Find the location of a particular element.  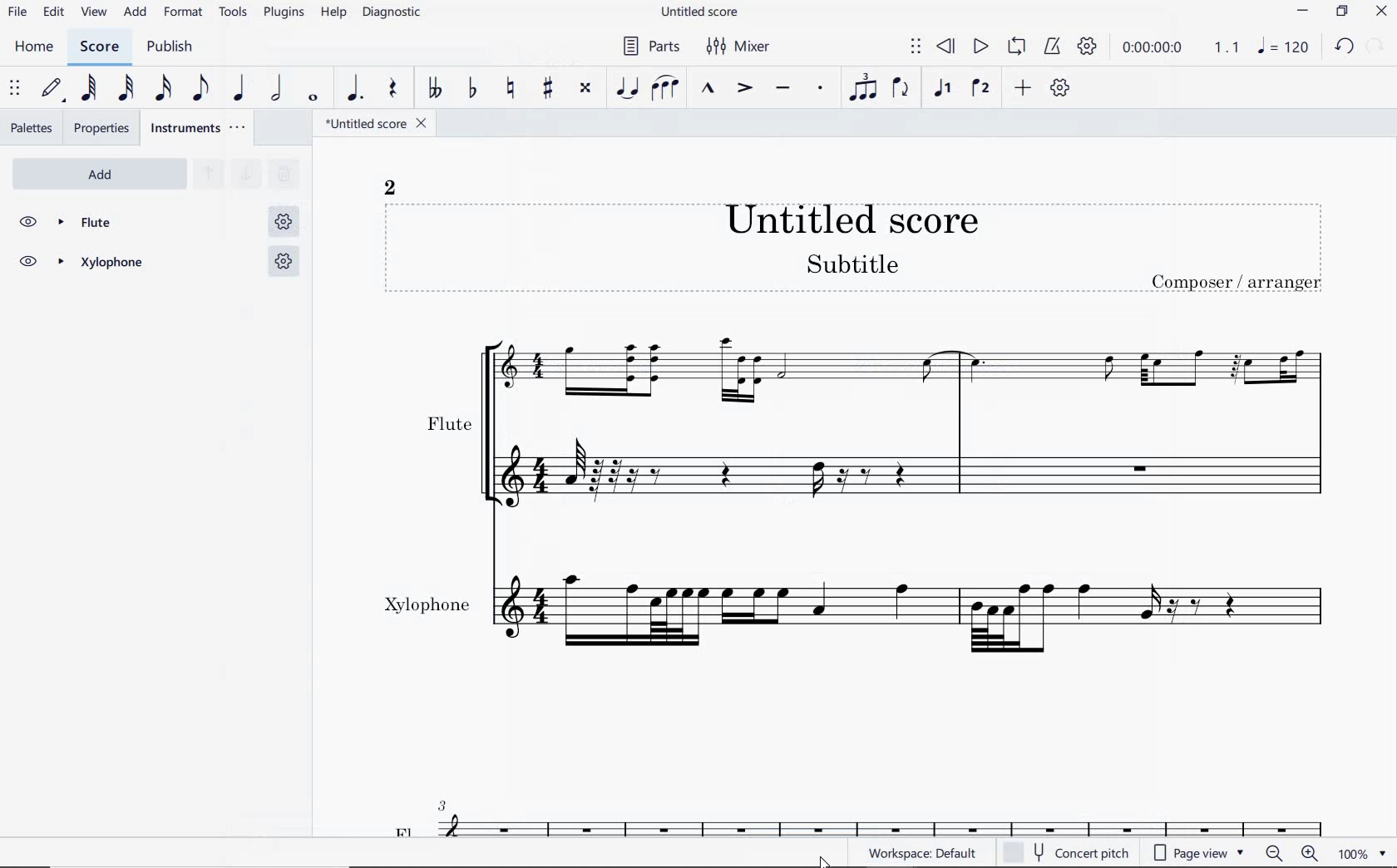

TOOLS is located at coordinates (234, 13).